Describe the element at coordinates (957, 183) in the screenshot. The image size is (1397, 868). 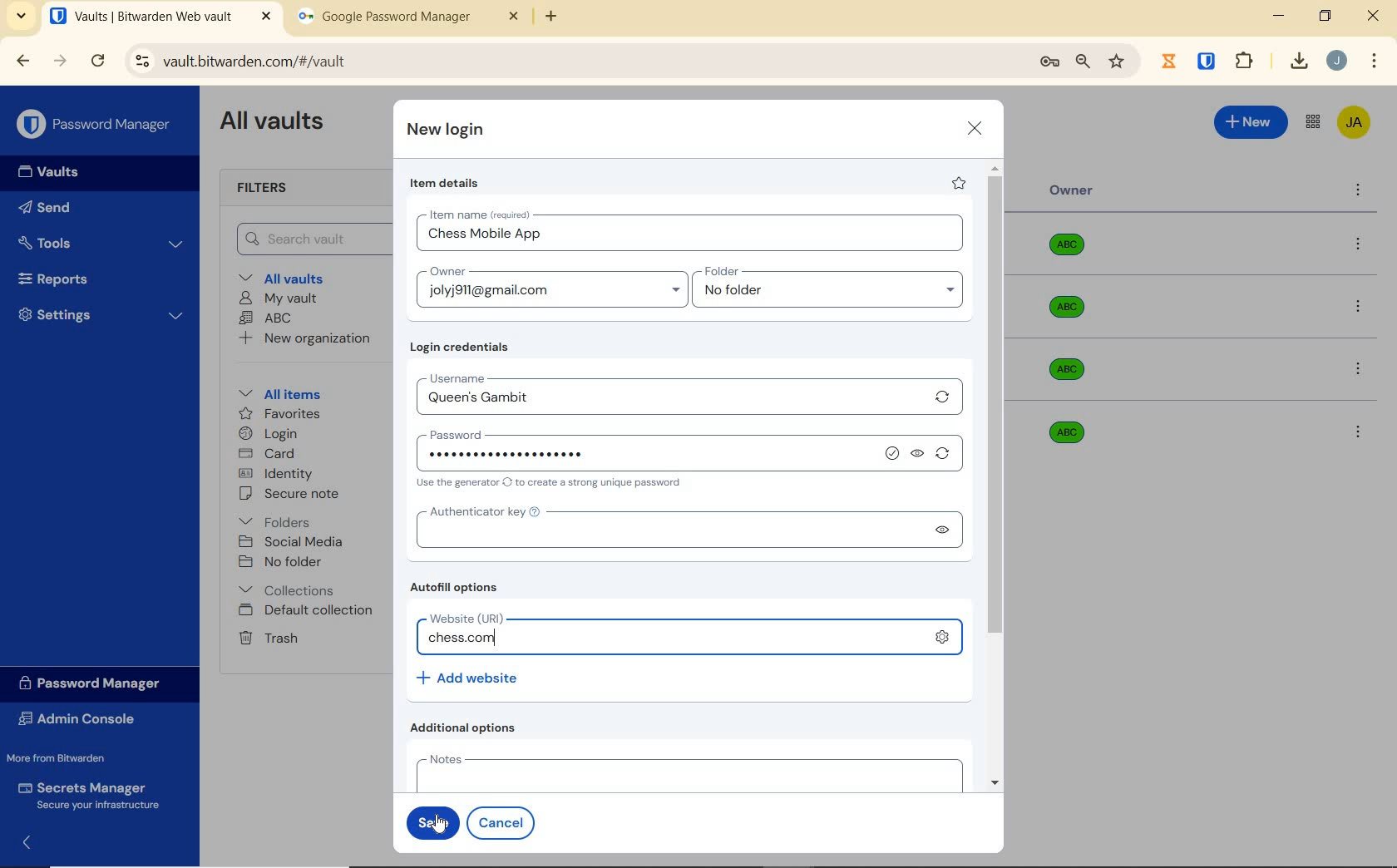
I see `favorite` at that location.